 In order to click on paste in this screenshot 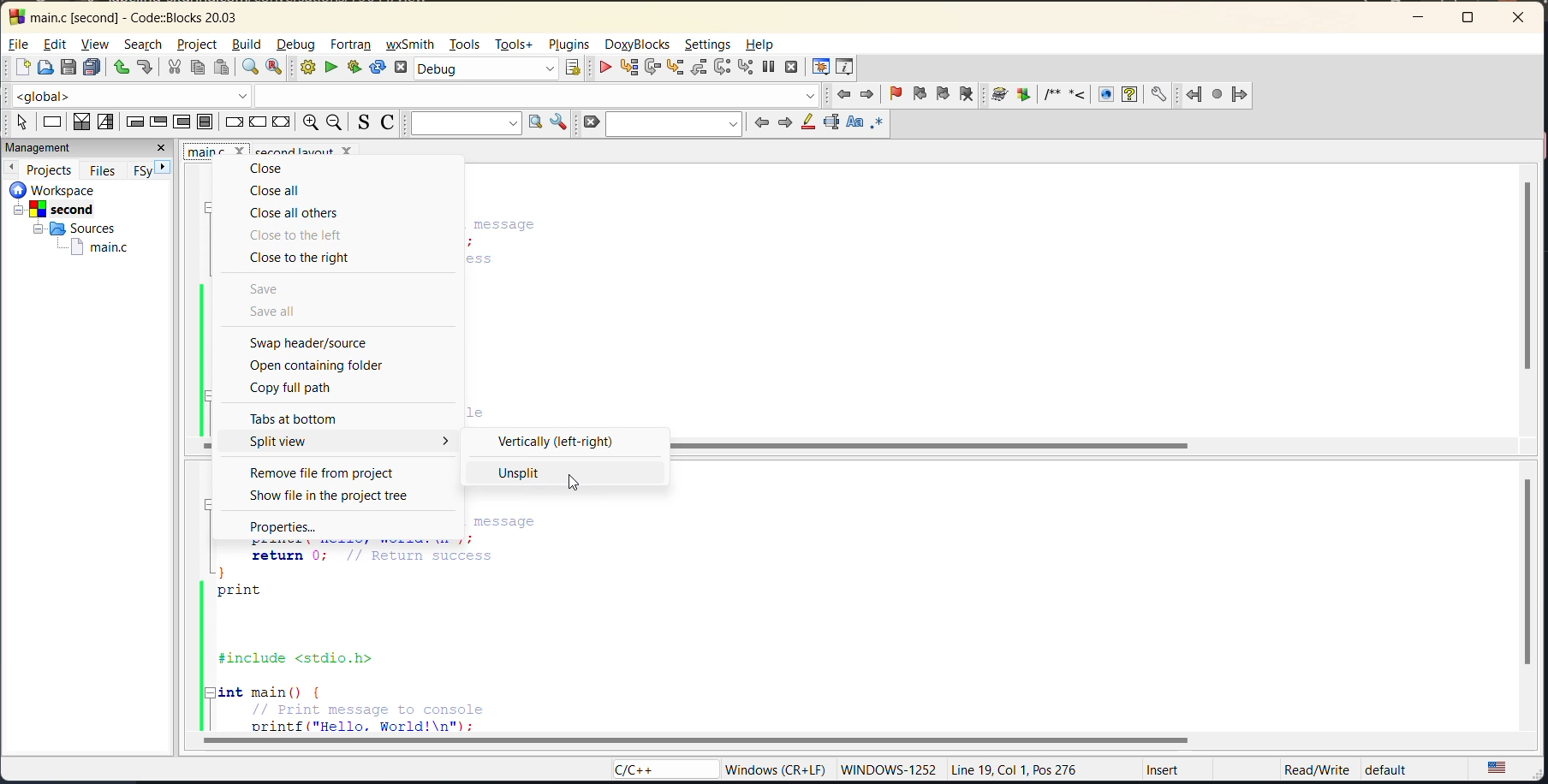, I will do `click(222, 68)`.